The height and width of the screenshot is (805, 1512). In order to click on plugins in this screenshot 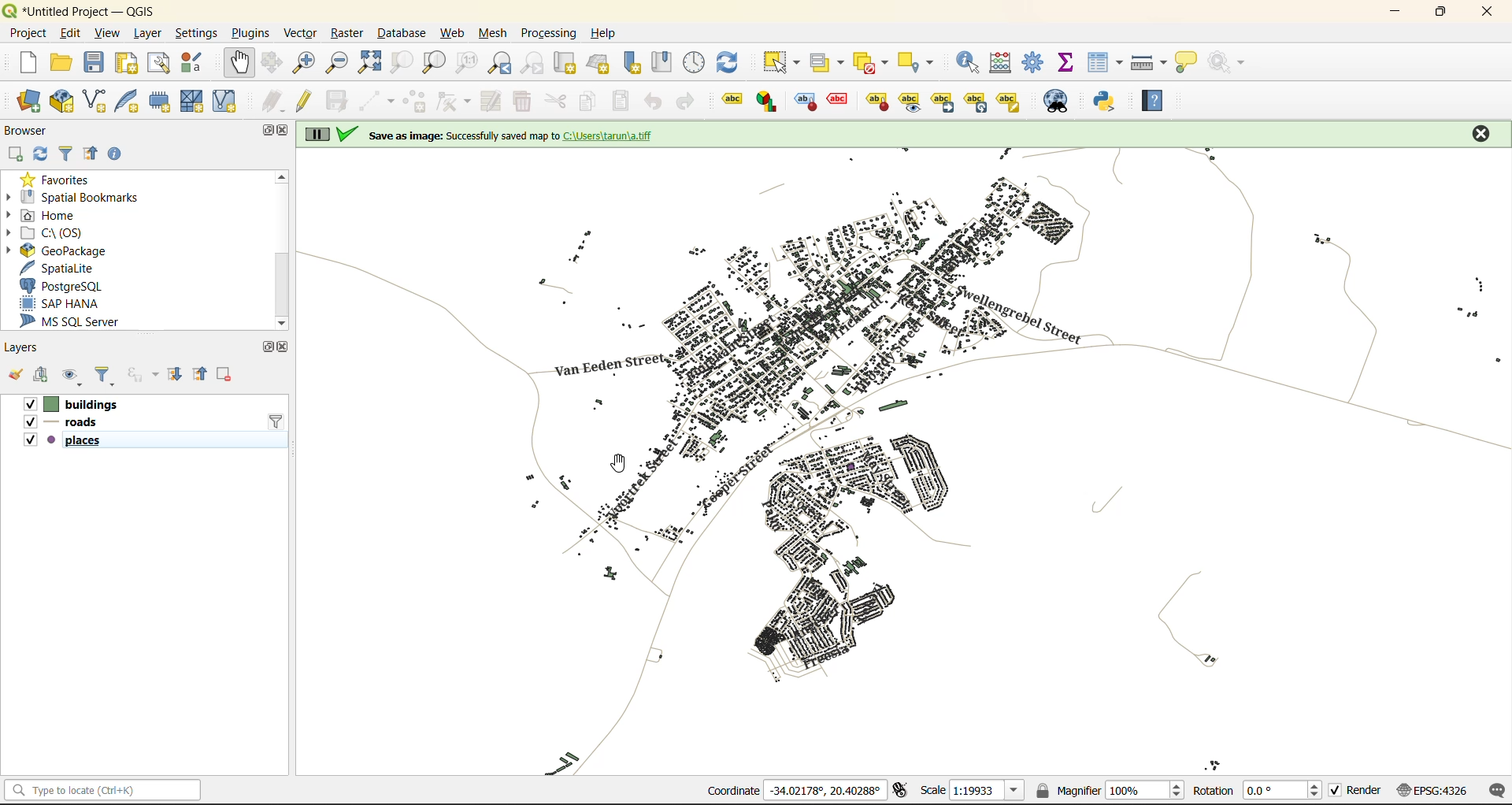, I will do `click(250, 33)`.